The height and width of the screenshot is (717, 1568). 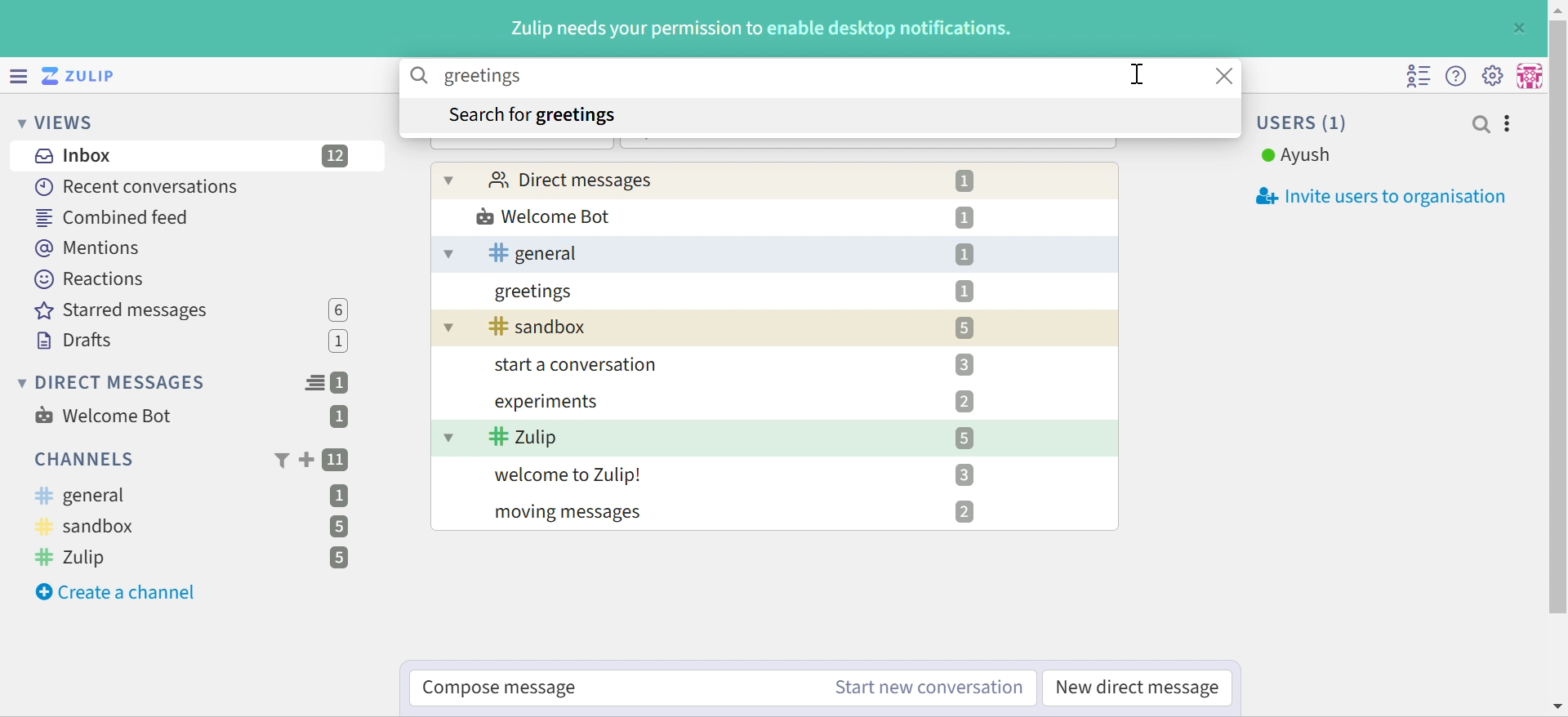 I want to click on Start new conversation, so click(x=929, y=688).